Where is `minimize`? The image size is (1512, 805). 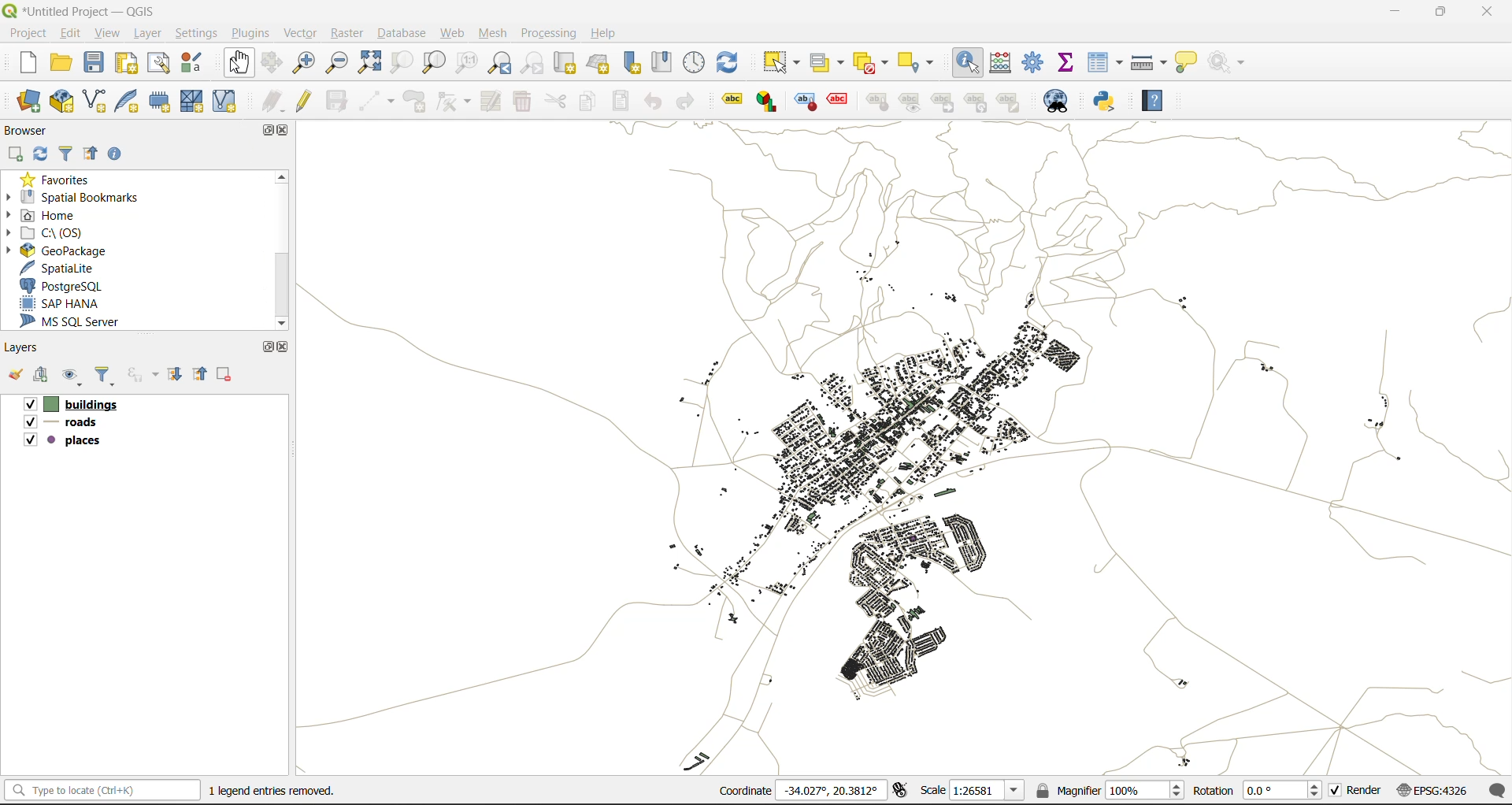 minimize is located at coordinates (1399, 15).